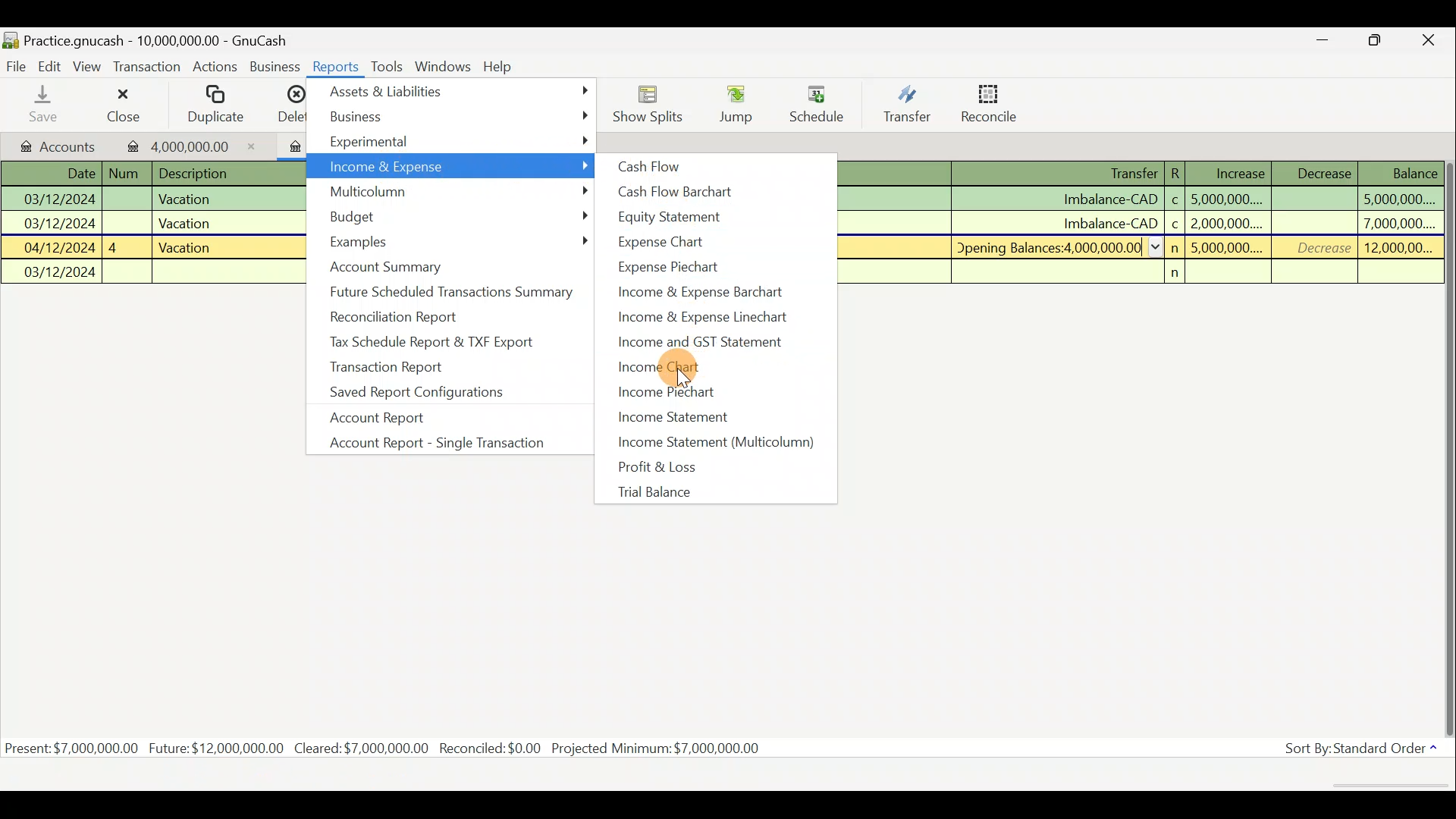  I want to click on Save, so click(44, 107).